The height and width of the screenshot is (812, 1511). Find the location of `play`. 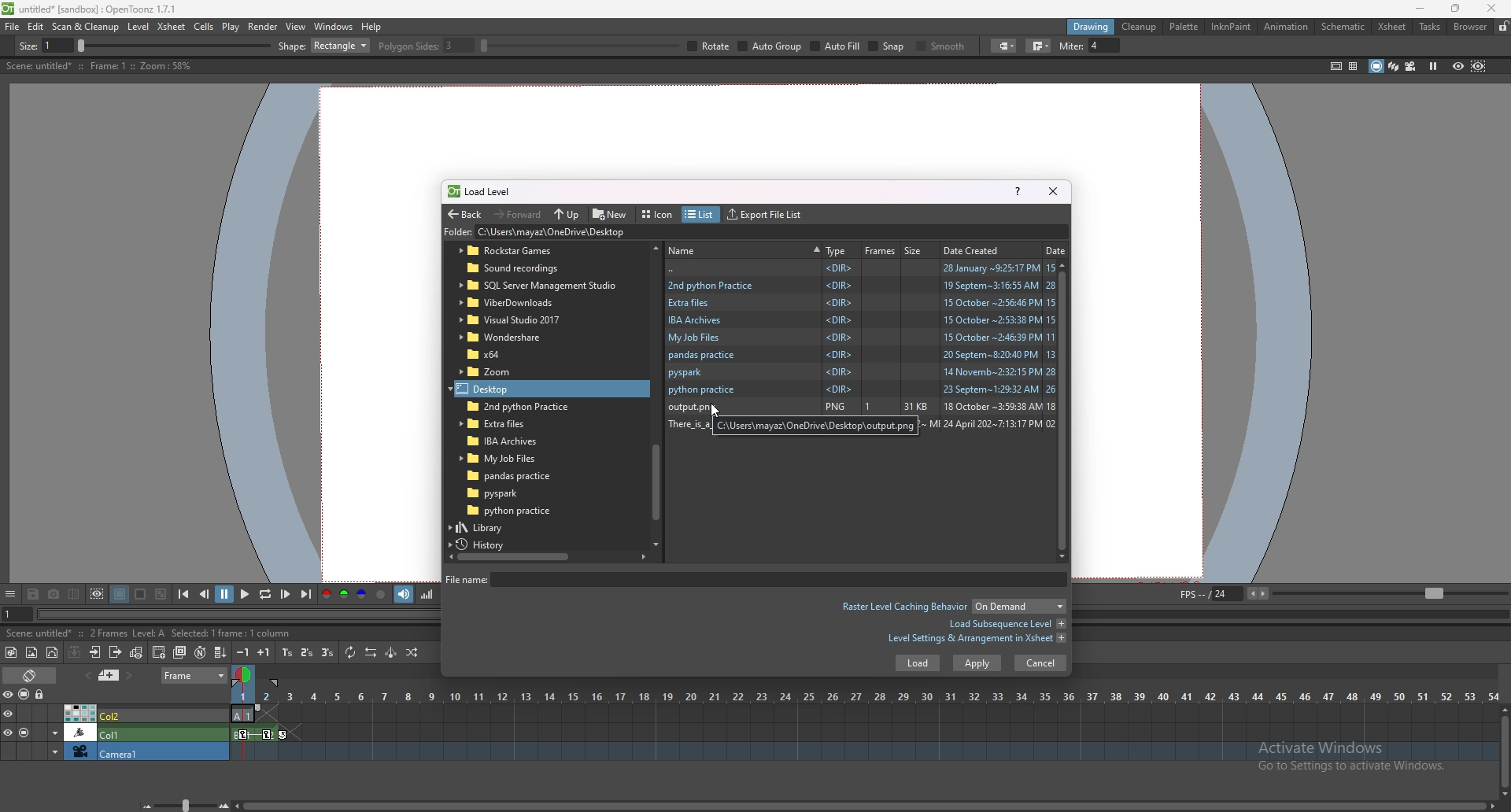

play is located at coordinates (231, 27).